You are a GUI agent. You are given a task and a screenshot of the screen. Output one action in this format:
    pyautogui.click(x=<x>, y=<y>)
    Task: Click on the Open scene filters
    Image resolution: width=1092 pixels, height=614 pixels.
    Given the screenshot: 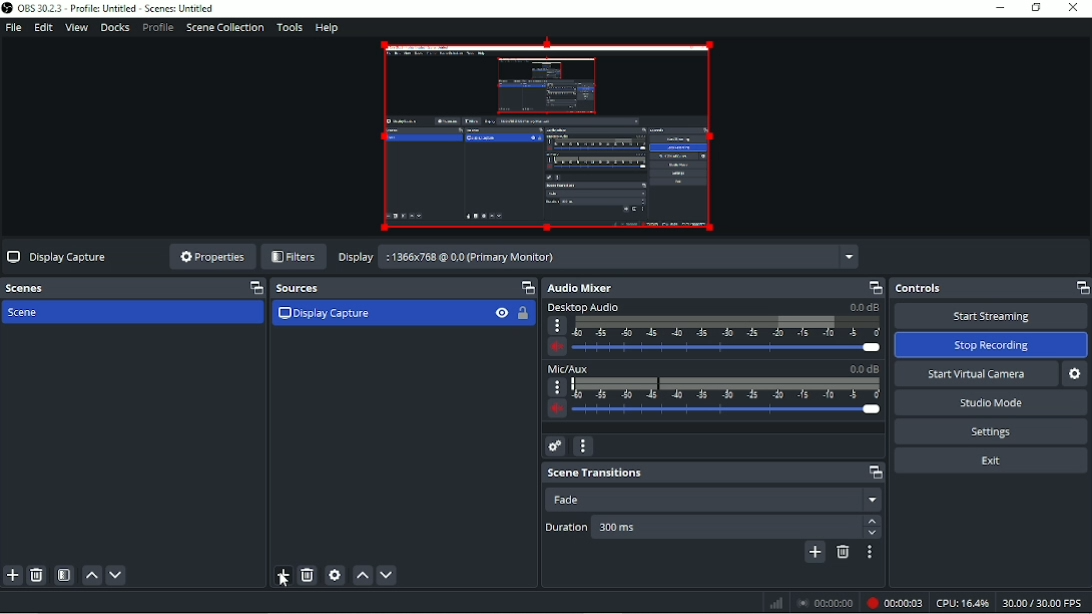 What is the action you would take?
    pyautogui.click(x=64, y=576)
    